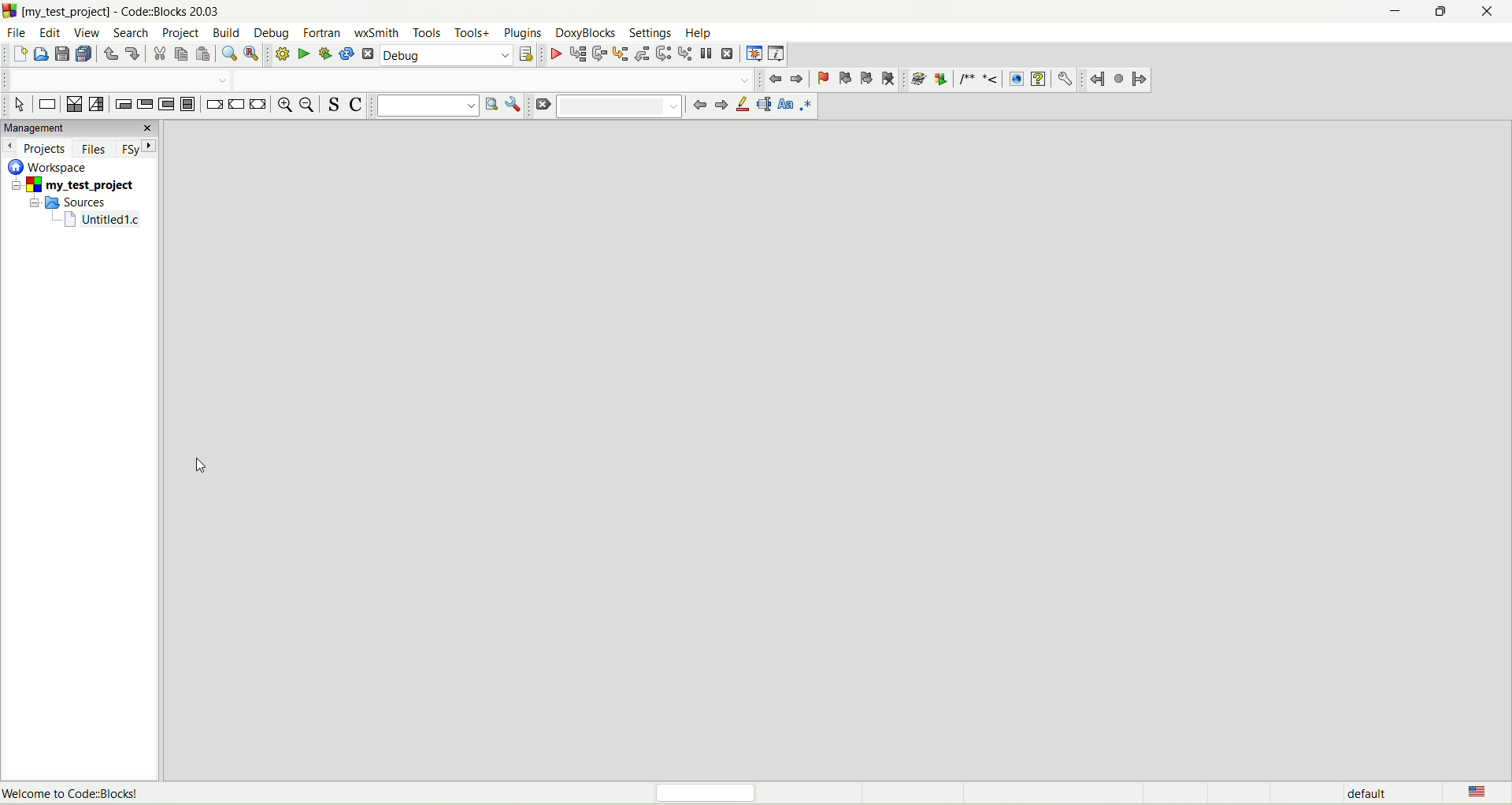 Image resolution: width=1512 pixels, height=805 pixels. I want to click on next line, so click(598, 54).